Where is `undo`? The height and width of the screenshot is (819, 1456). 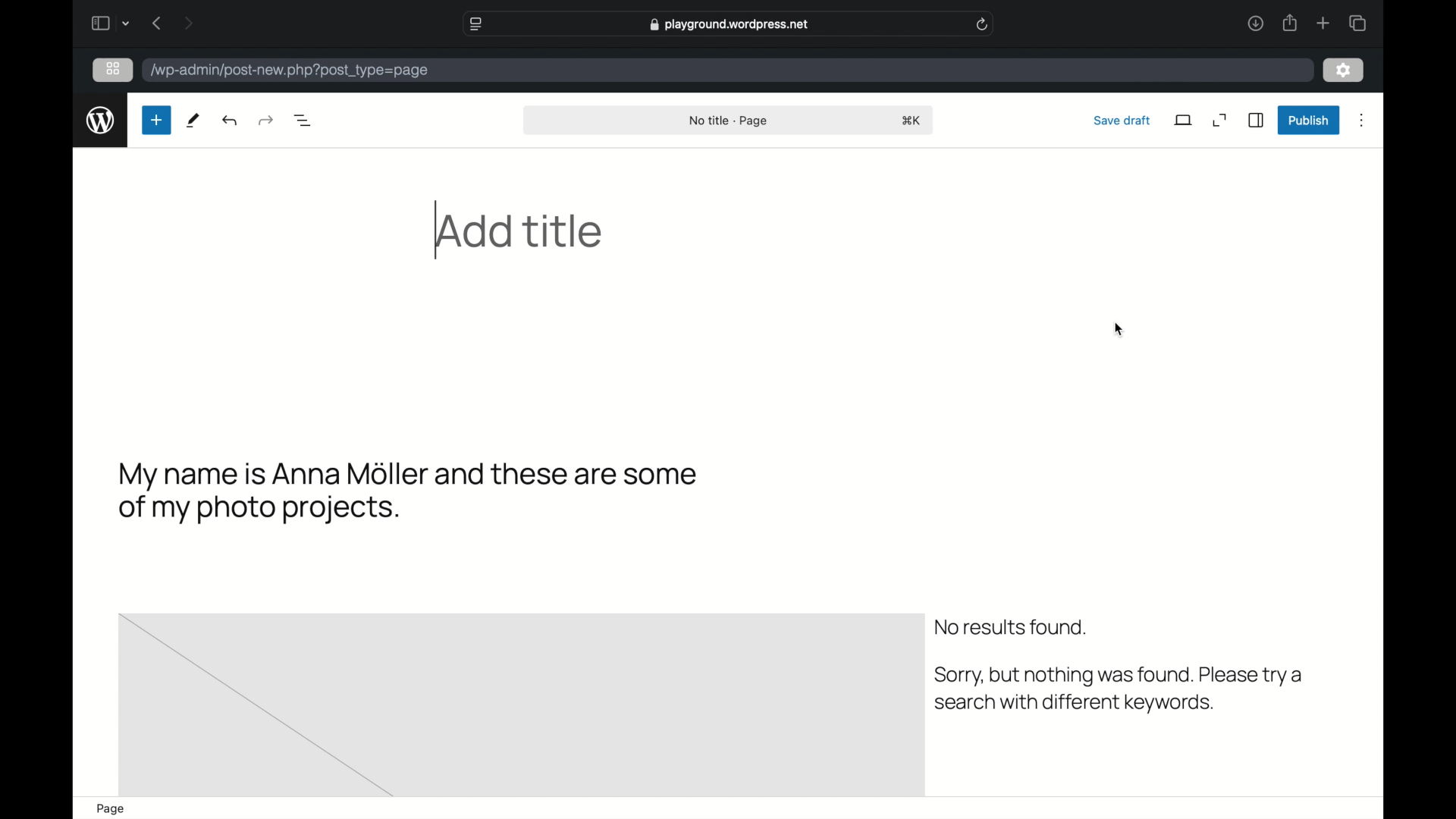
undo is located at coordinates (265, 120).